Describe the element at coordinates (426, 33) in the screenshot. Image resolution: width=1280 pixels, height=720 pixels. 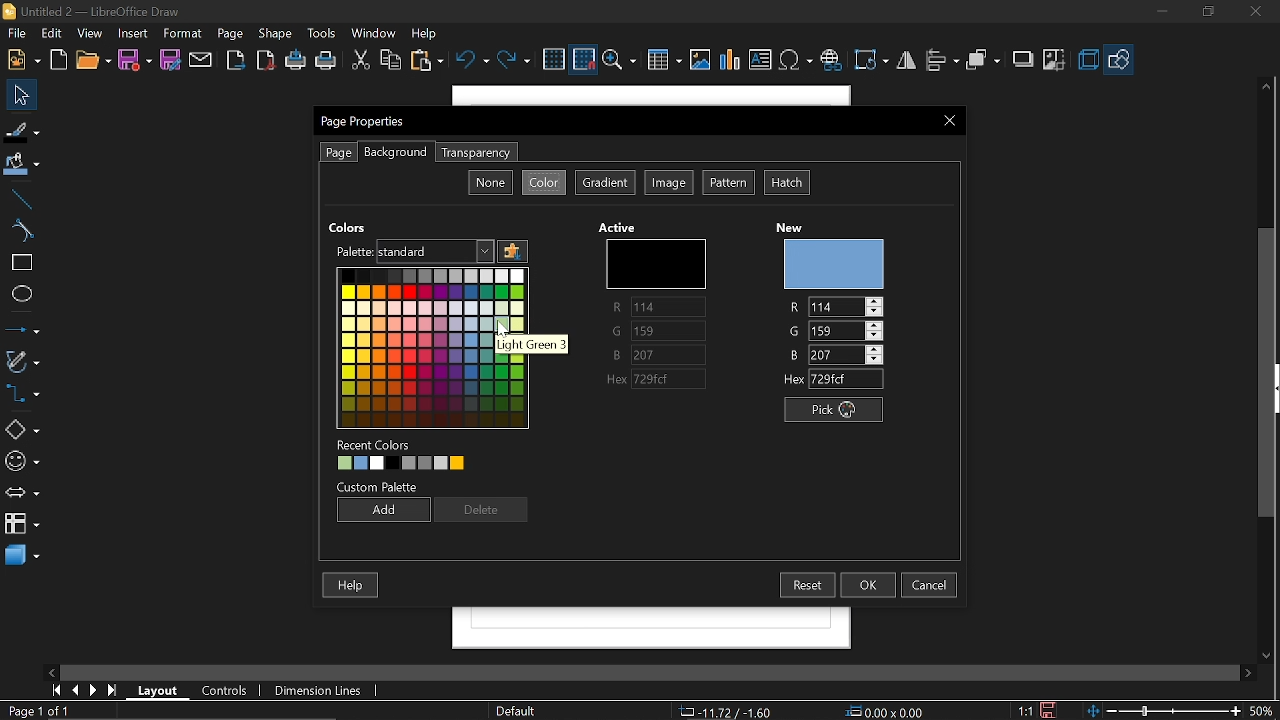
I see `Help` at that location.